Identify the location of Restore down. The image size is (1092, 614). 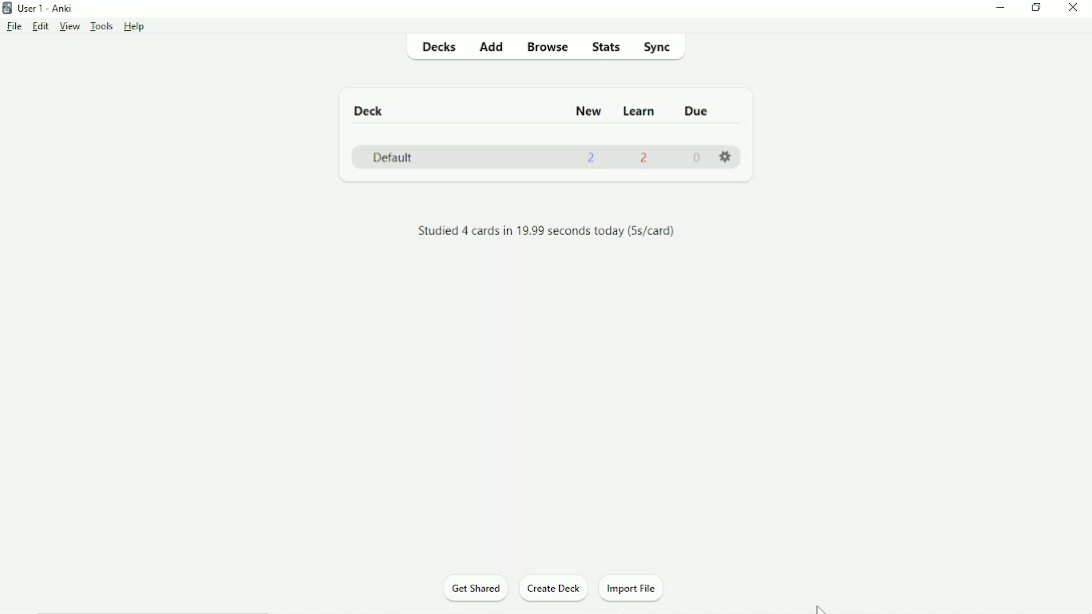
(1037, 8).